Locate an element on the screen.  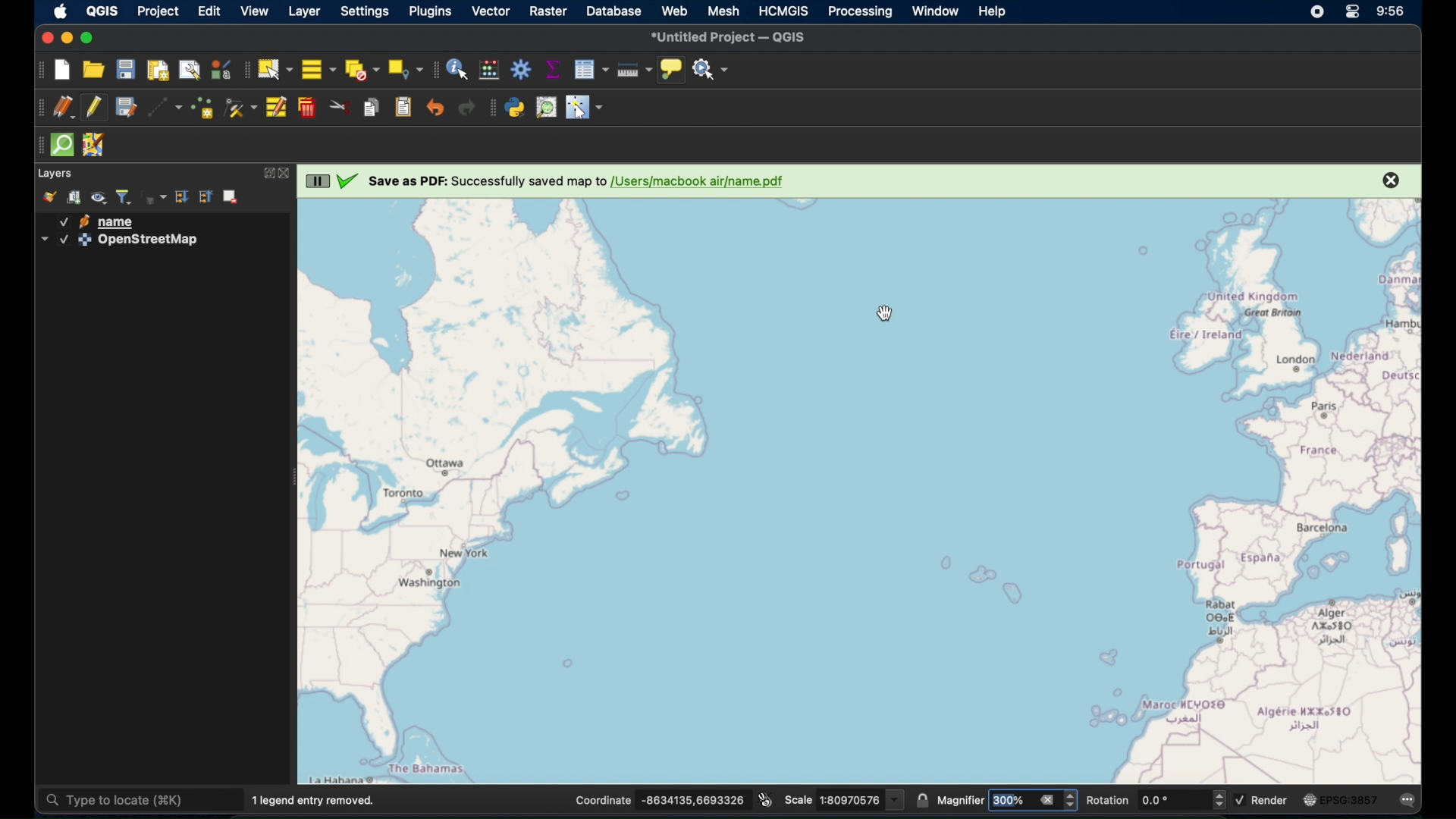
redo is located at coordinates (468, 110).